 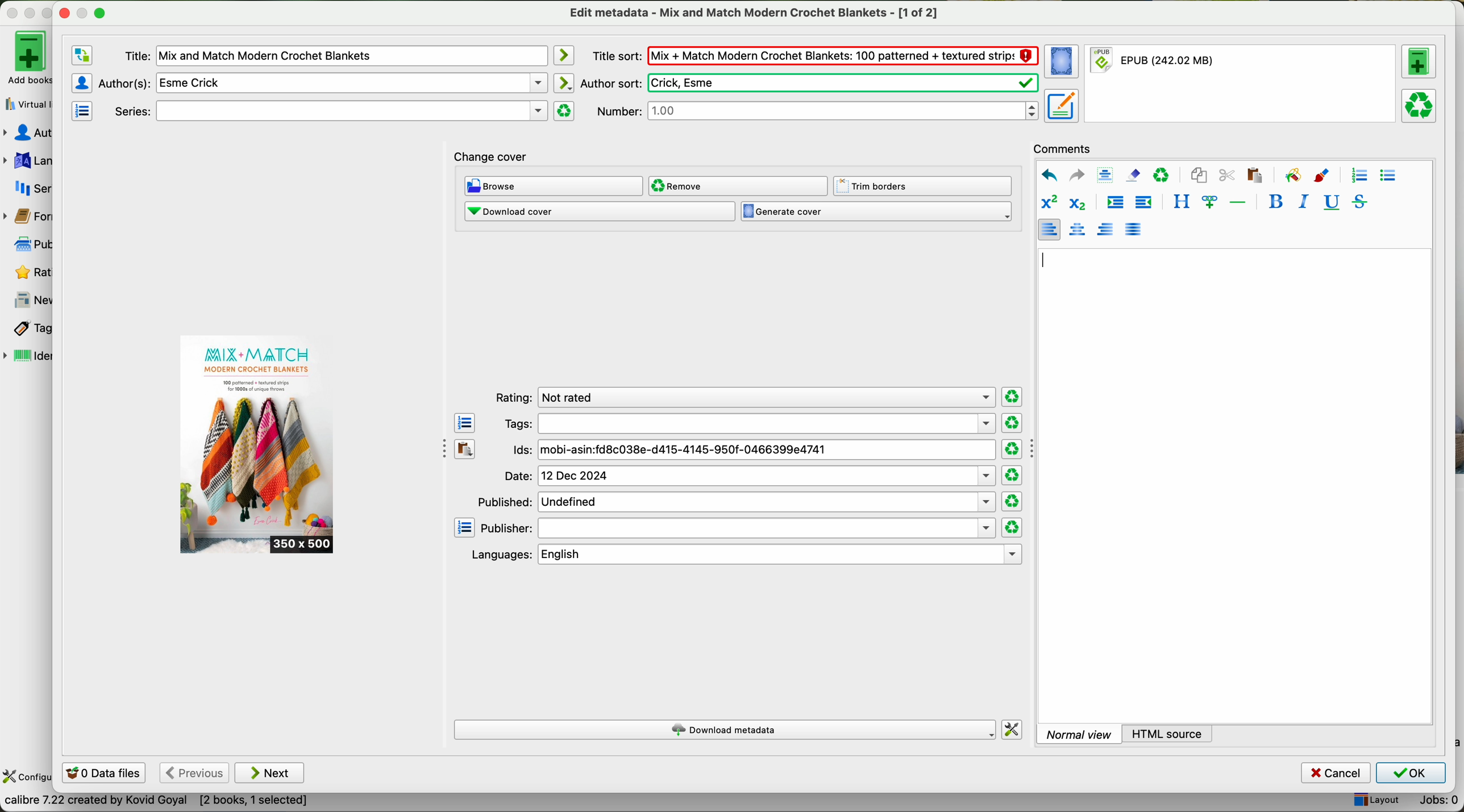 What do you see at coordinates (465, 423) in the screenshot?
I see `open the tag editor` at bounding box center [465, 423].